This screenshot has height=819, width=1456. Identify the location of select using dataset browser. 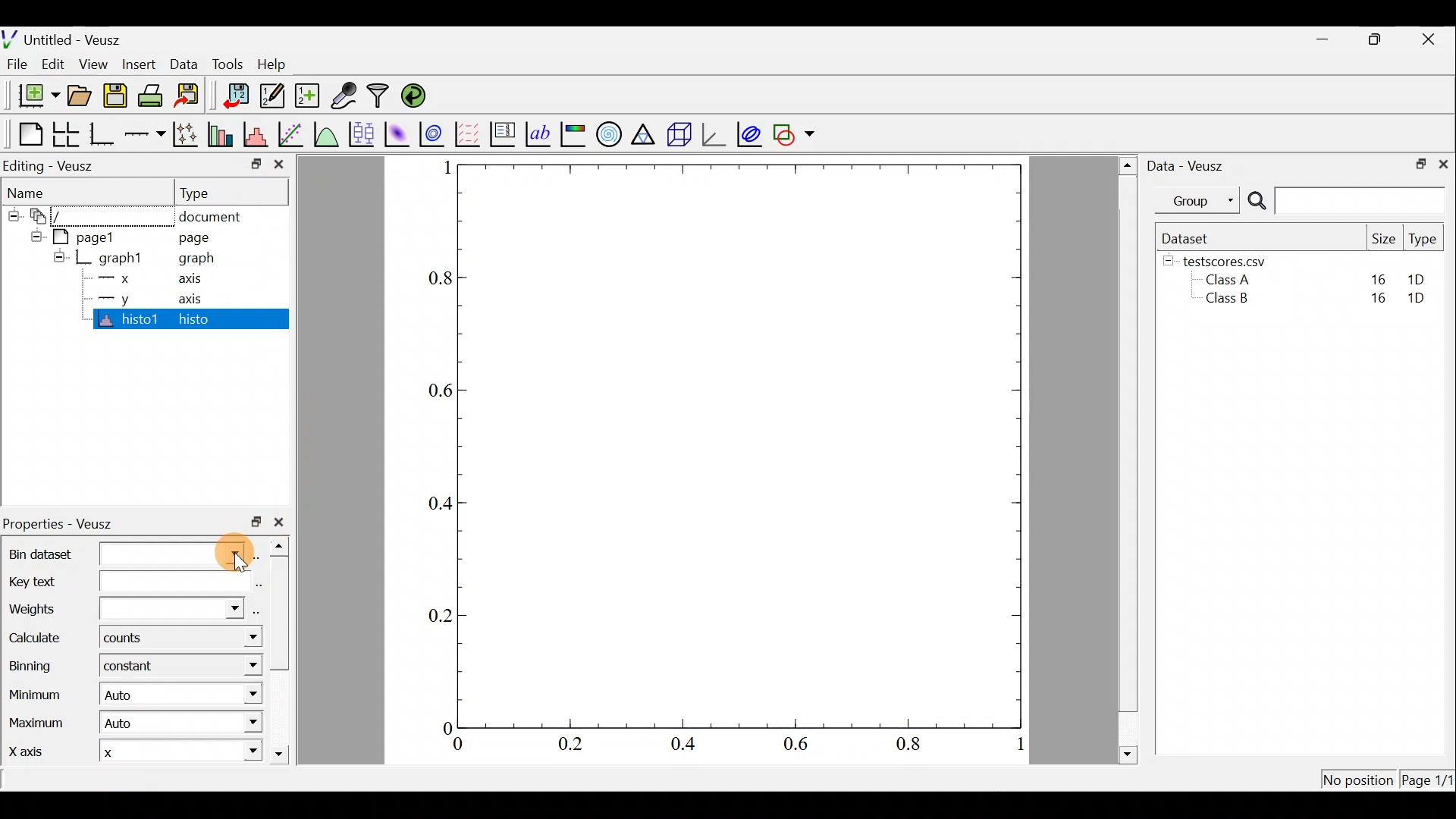
(258, 610).